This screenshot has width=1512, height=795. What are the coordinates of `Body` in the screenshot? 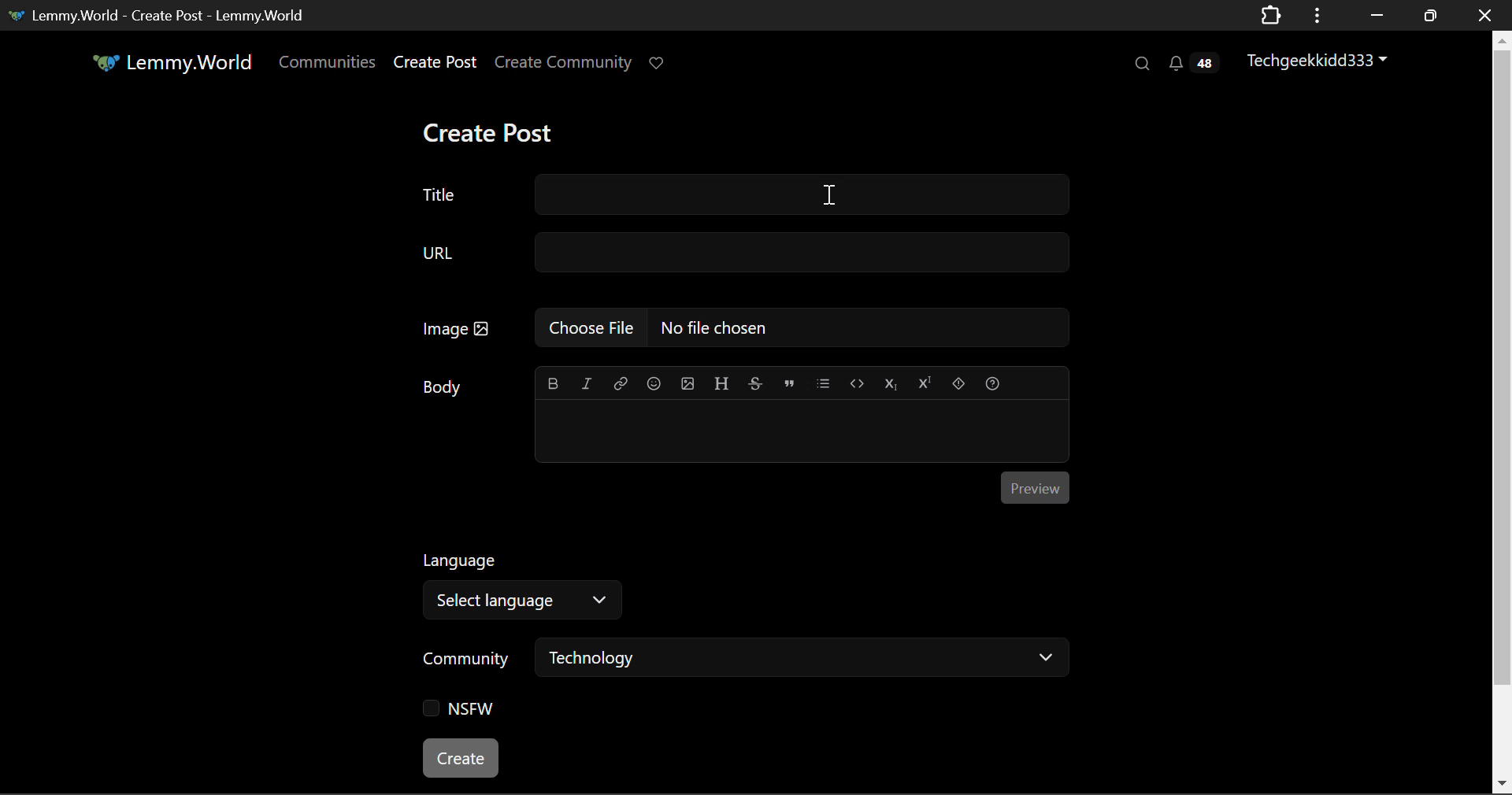 It's located at (445, 386).